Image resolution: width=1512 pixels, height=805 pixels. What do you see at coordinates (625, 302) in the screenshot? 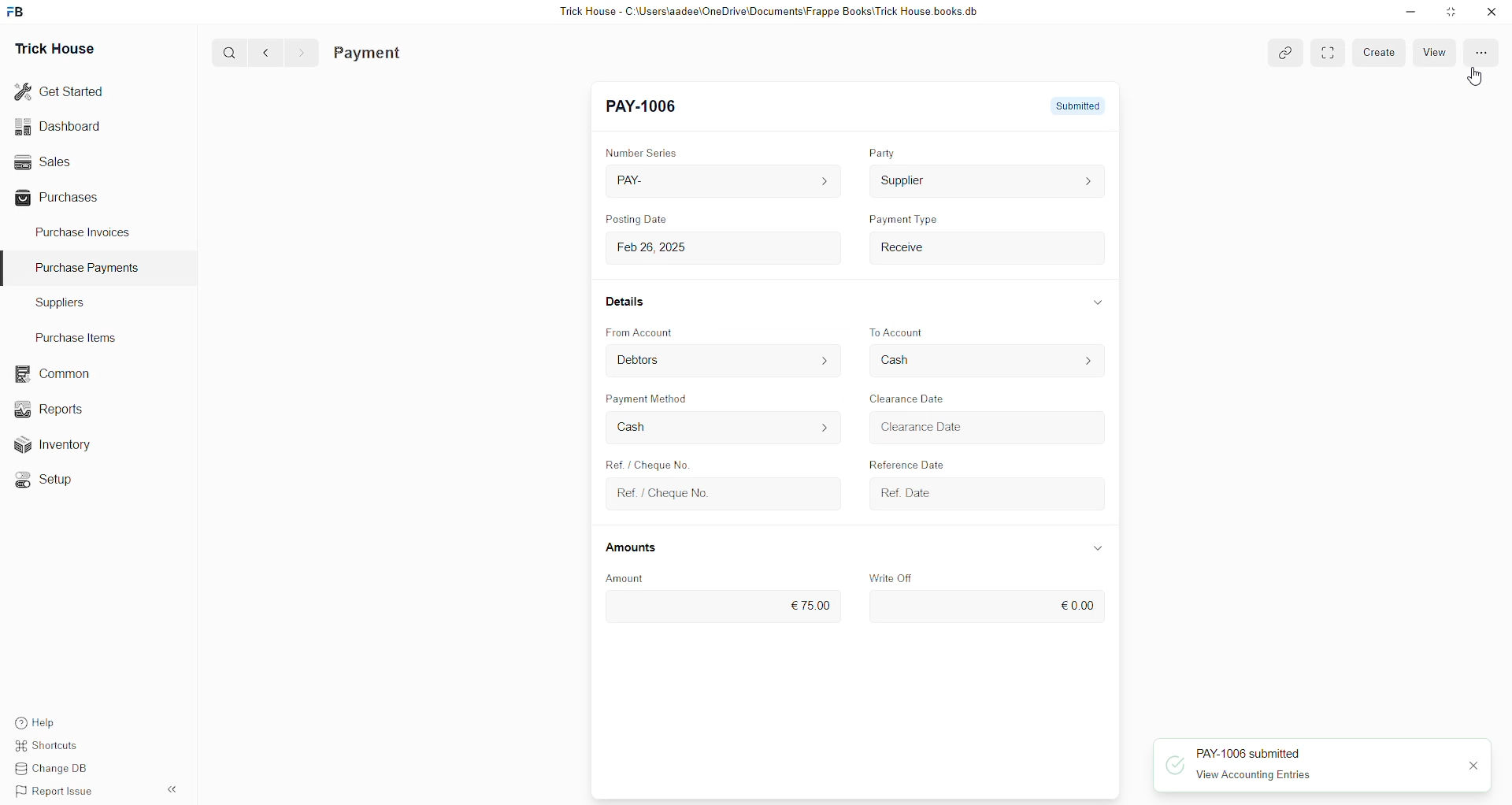
I see `Details` at bounding box center [625, 302].